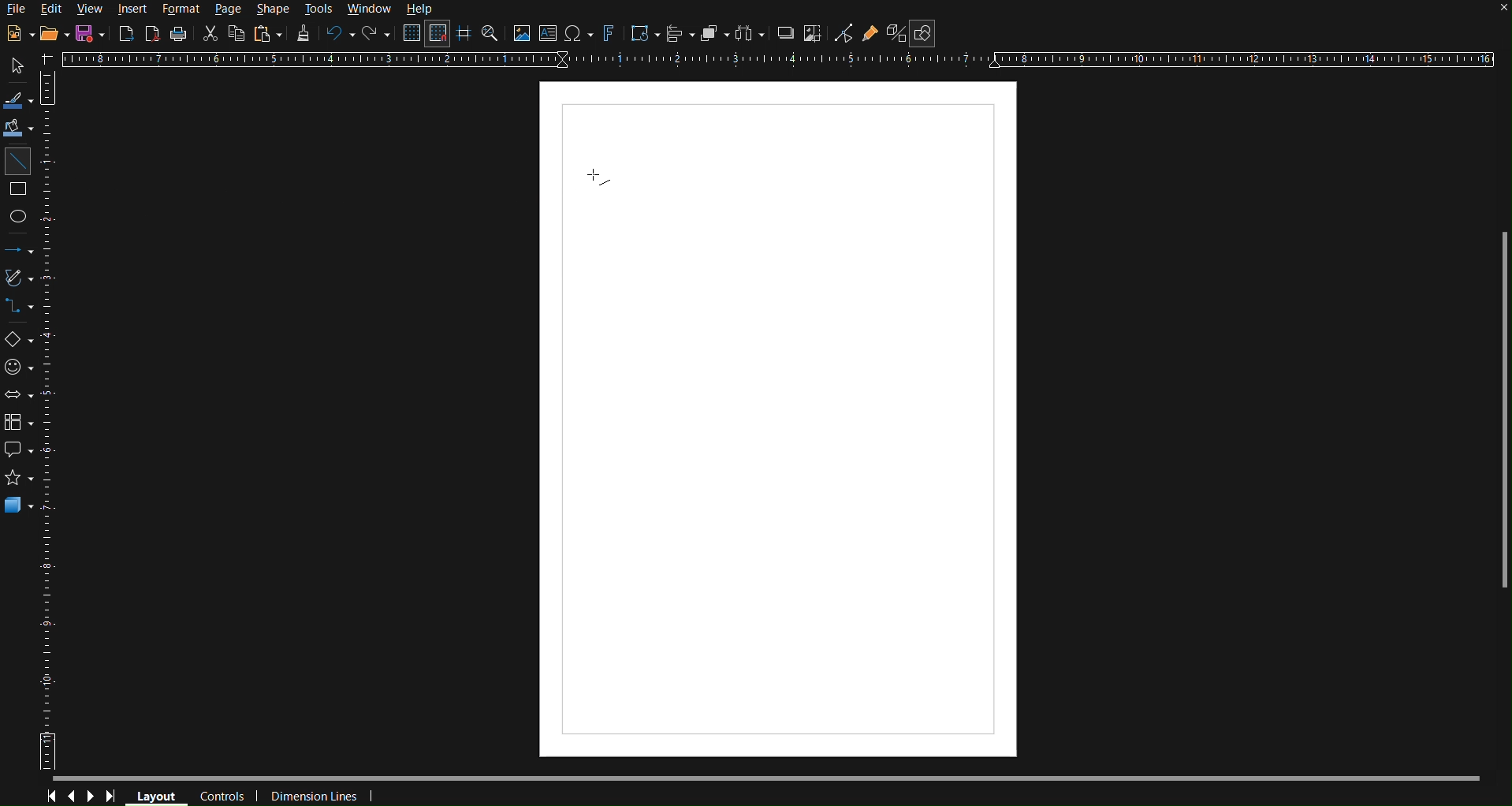 This screenshot has width=1512, height=806. Describe the element at coordinates (610, 33) in the screenshot. I see `Fontworks` at that location.